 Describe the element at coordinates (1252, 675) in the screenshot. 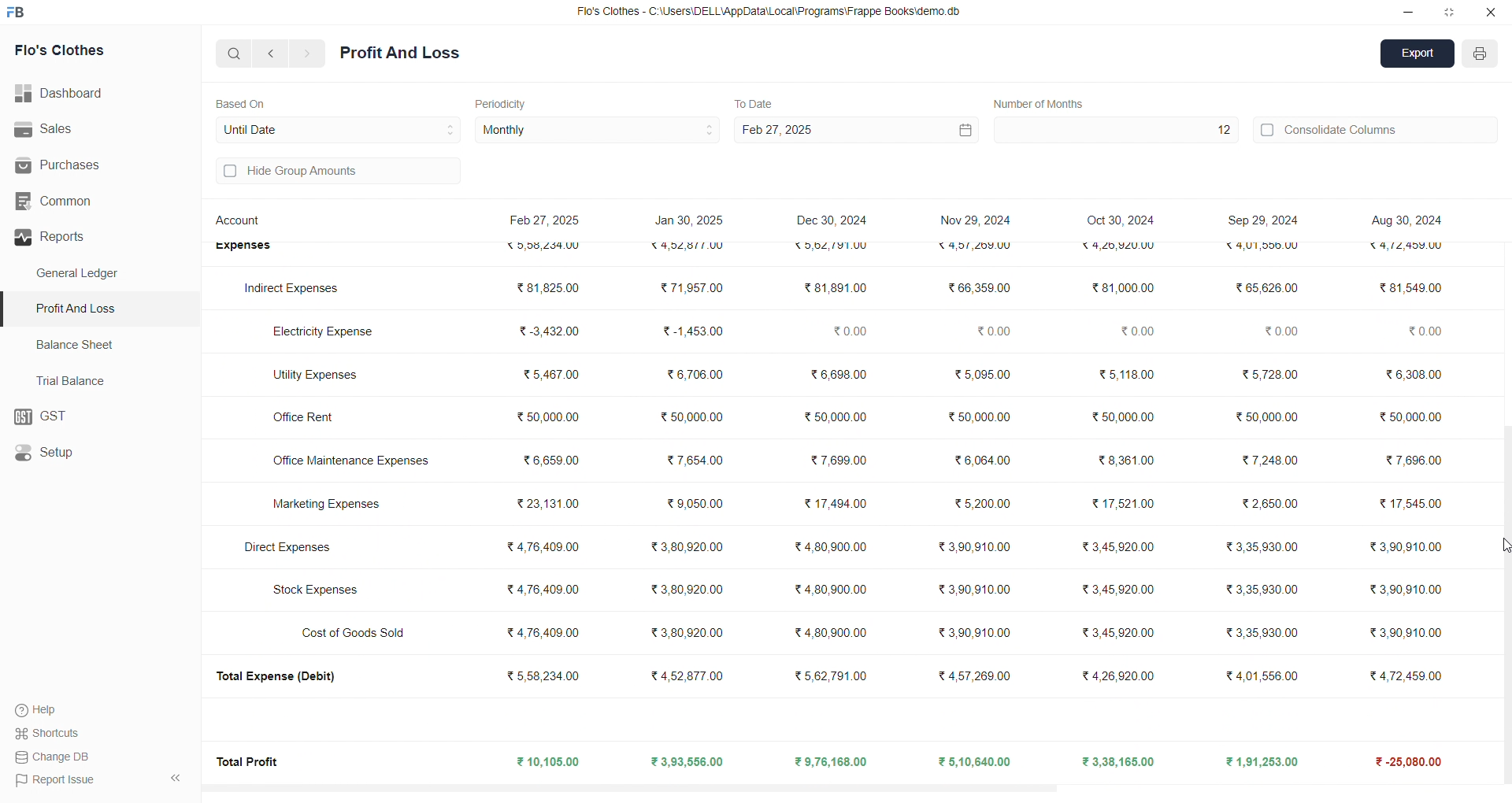

I see `₹ 4,01,556.00` at that location.